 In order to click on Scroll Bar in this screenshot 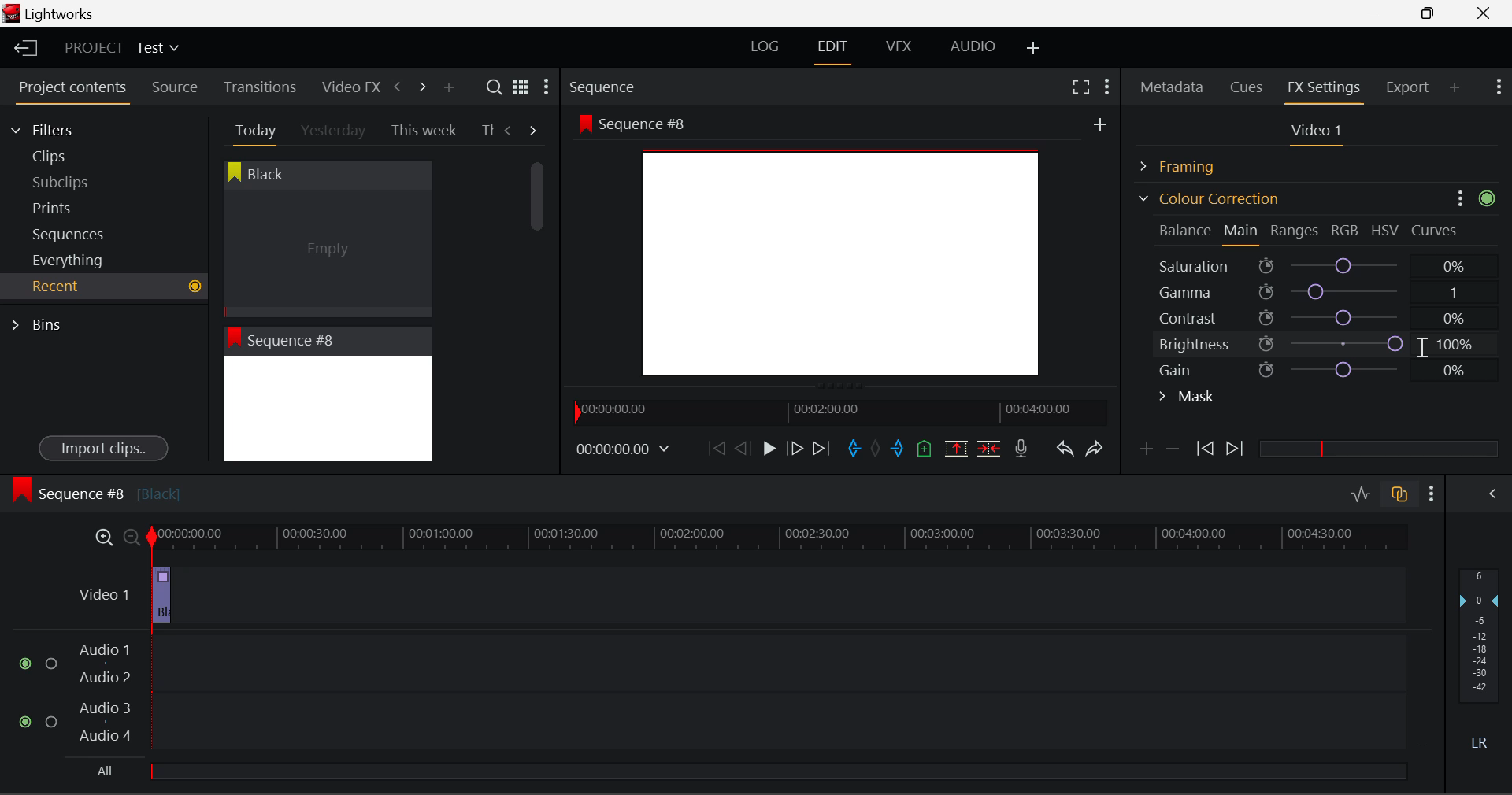, I will do `click(538, 299)`.